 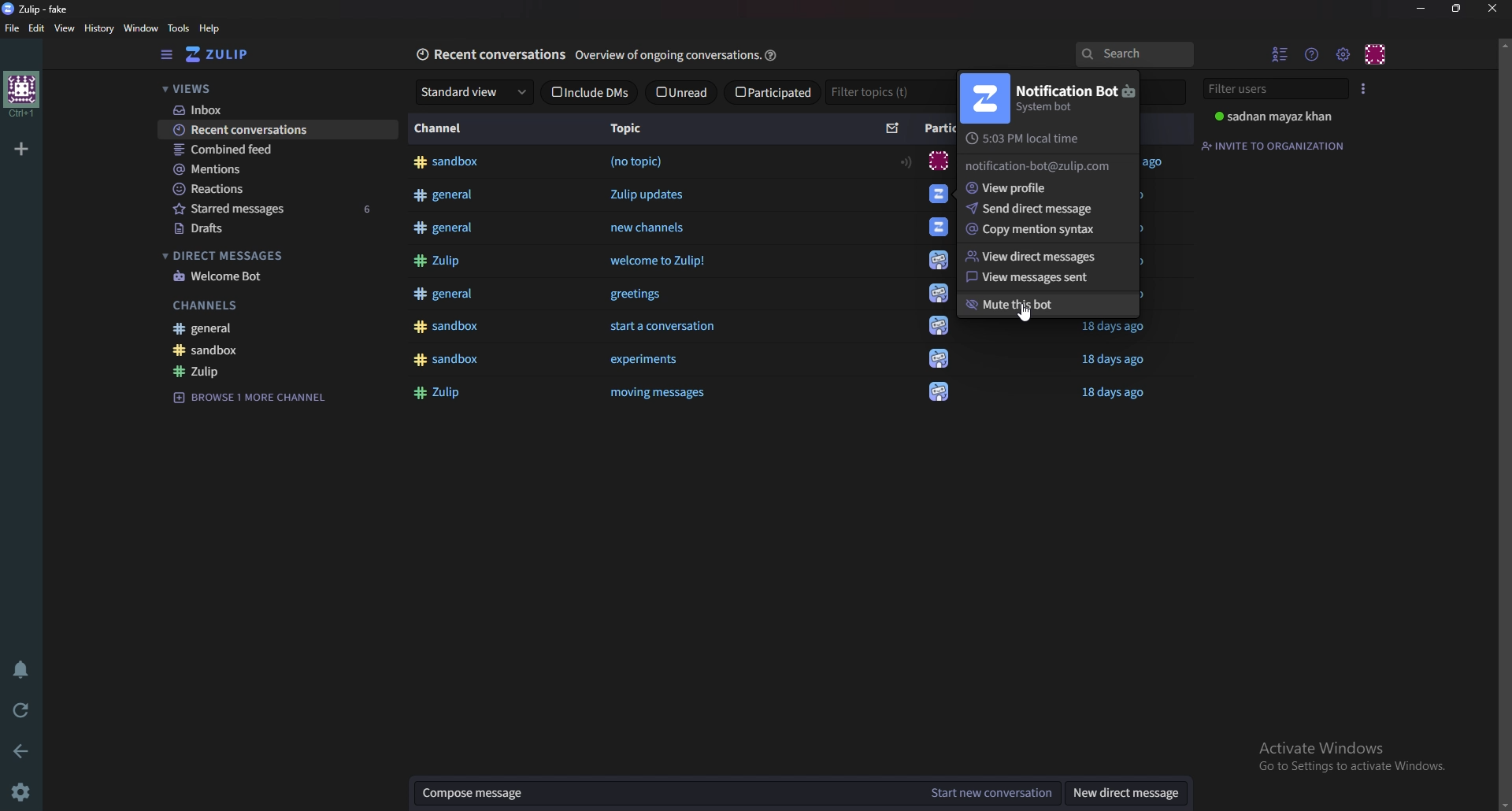 What do you see at coordinates (1076, 99) in the screenshot?
I see `Notification bot` at bounding box center [1076, 99].